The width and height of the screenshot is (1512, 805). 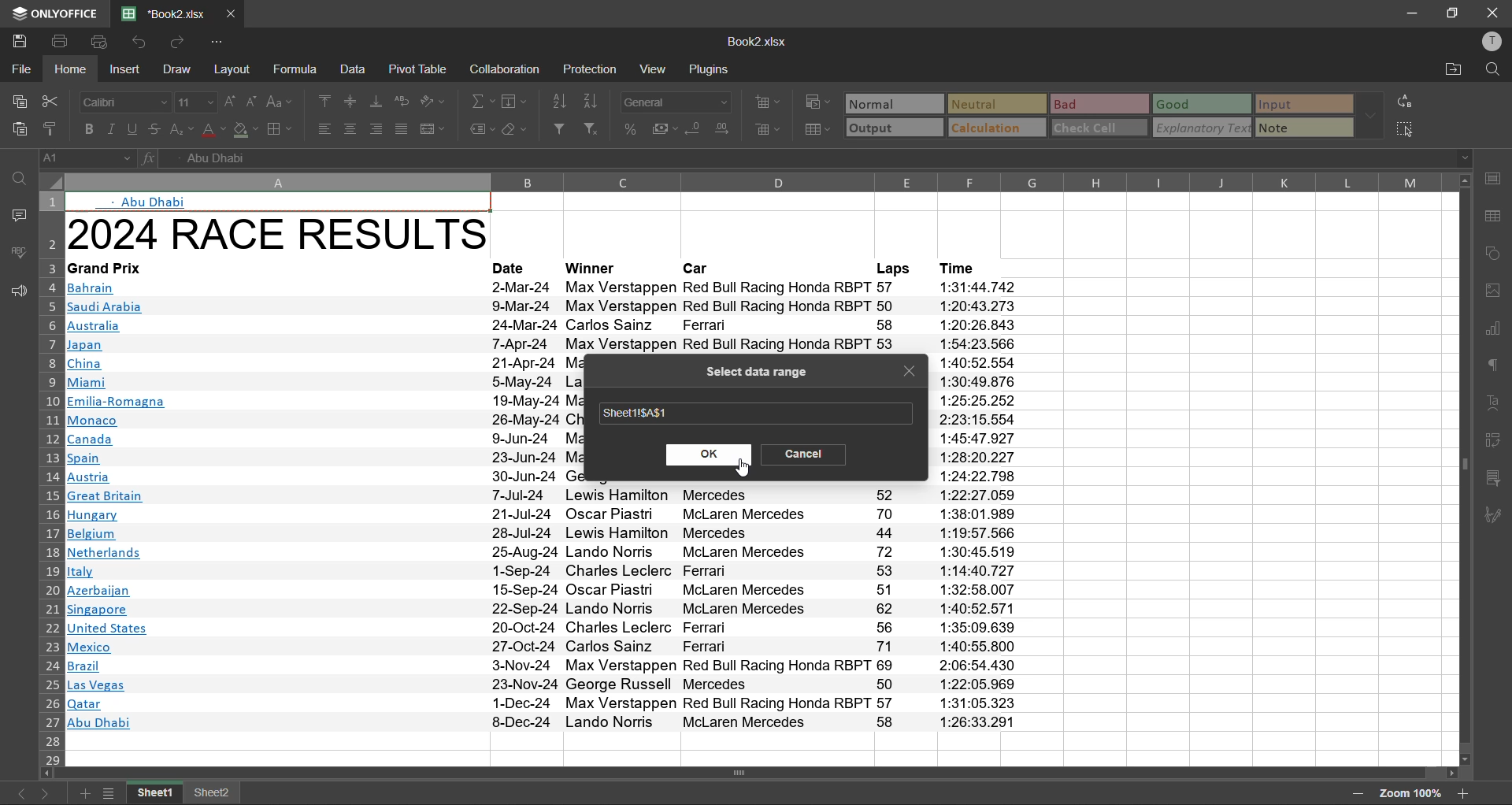 What do you see at coordinates (743, 473) in the screenshot?
I see `Cursor` at bounding box center [743, 473].